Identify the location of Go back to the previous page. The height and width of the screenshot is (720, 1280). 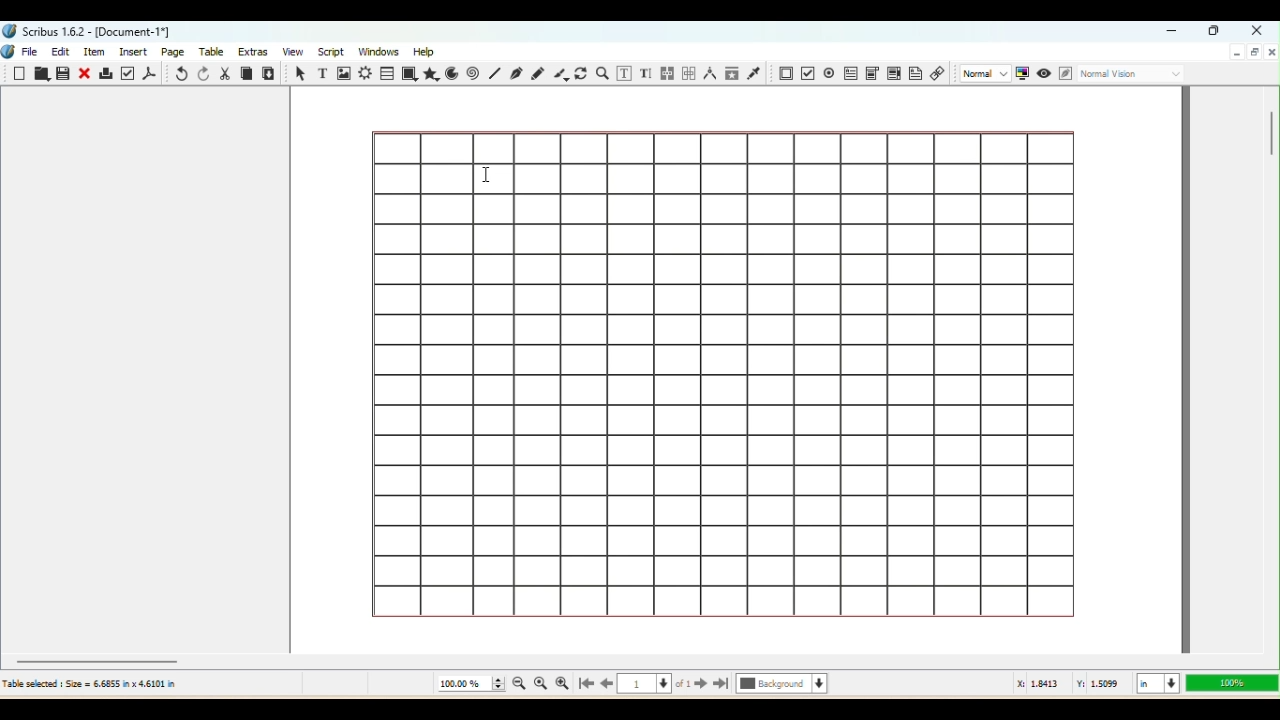
(607, 685).